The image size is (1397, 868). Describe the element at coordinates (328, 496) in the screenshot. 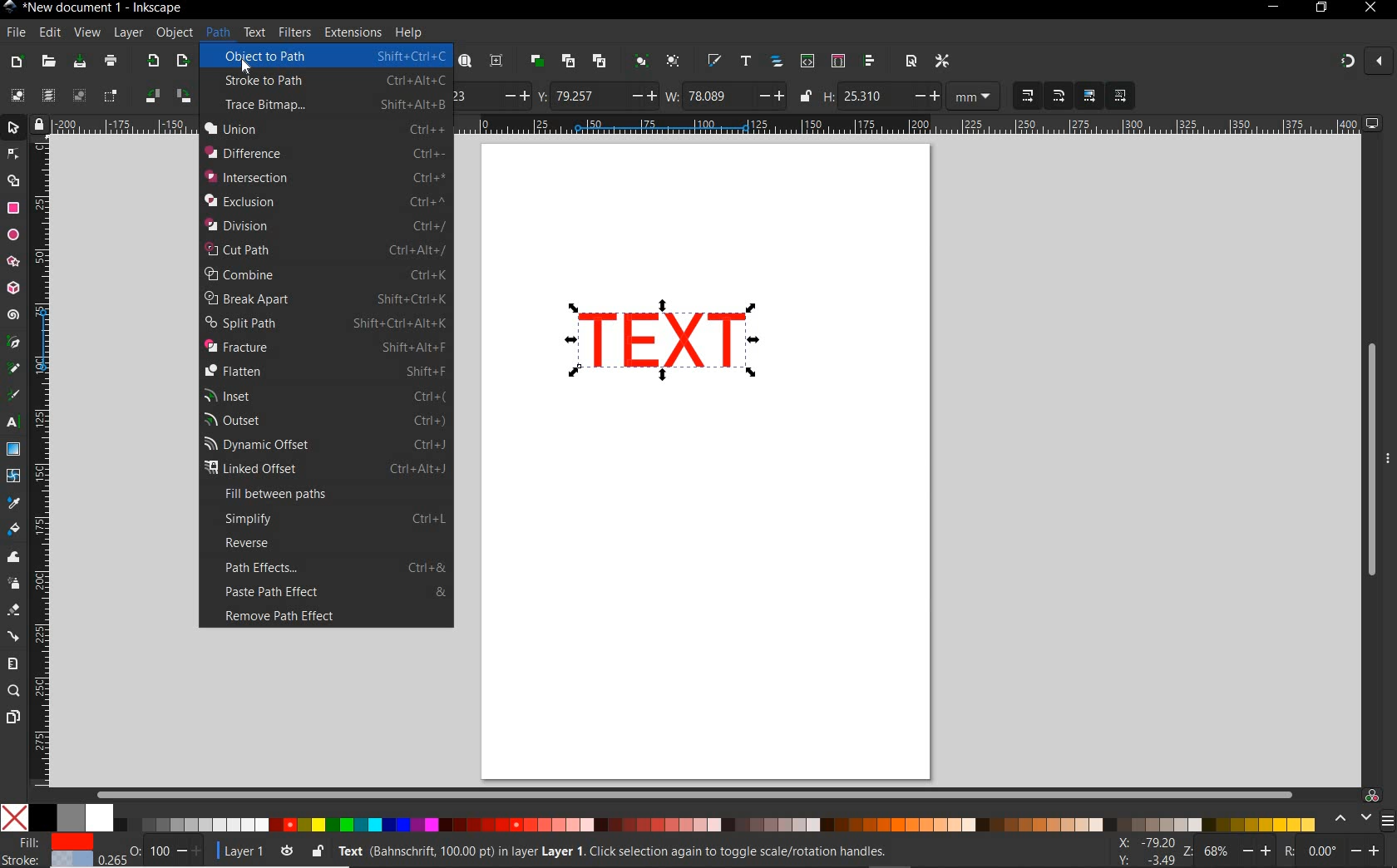

I see `FILL BETWEEN PATHS` at that location.